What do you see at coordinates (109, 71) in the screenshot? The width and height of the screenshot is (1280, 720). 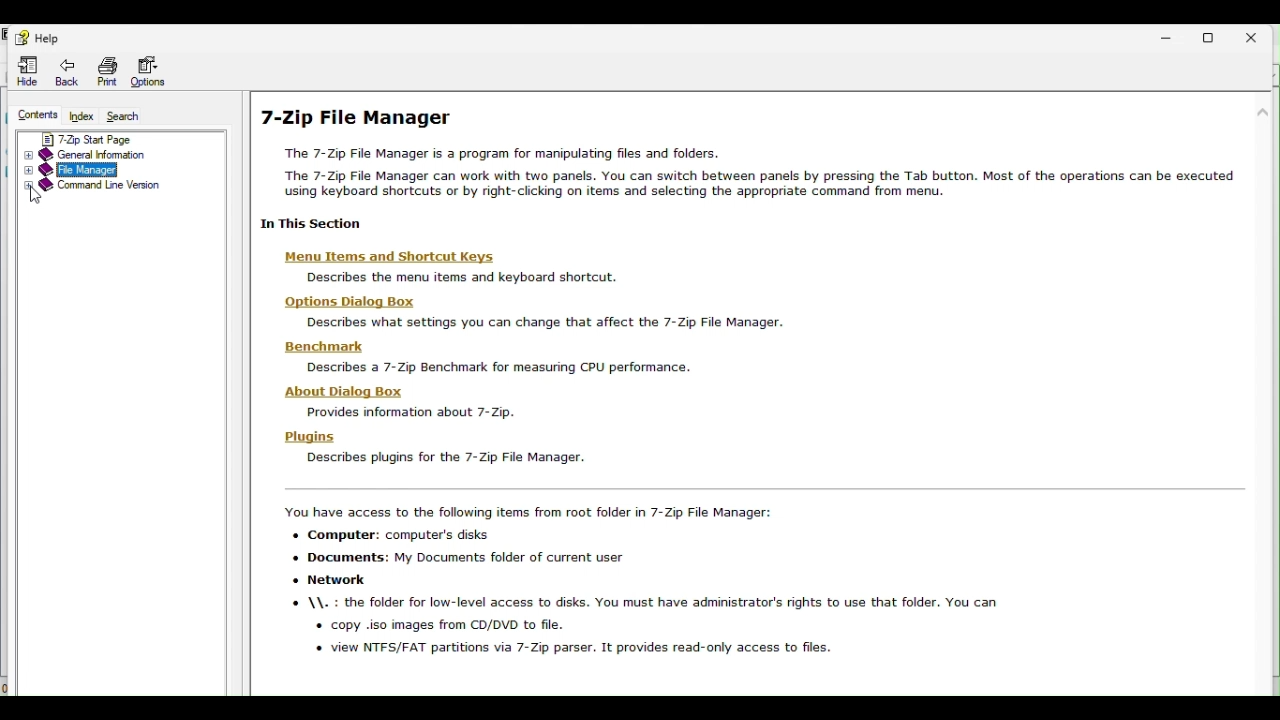 I see `print` at bounding box center [109, 71].